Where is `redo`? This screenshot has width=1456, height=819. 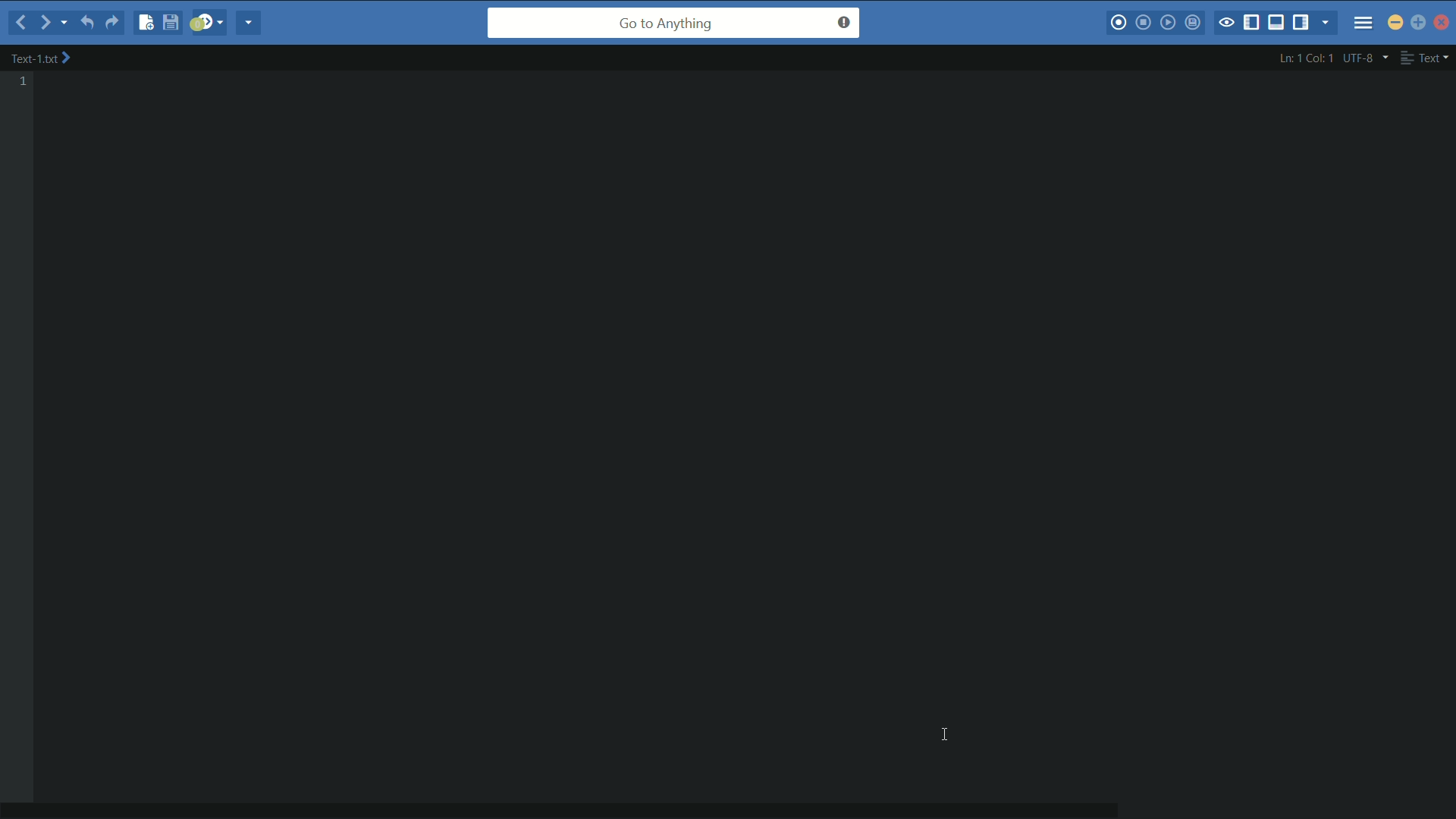
redo is located at coordinates (111, 22).